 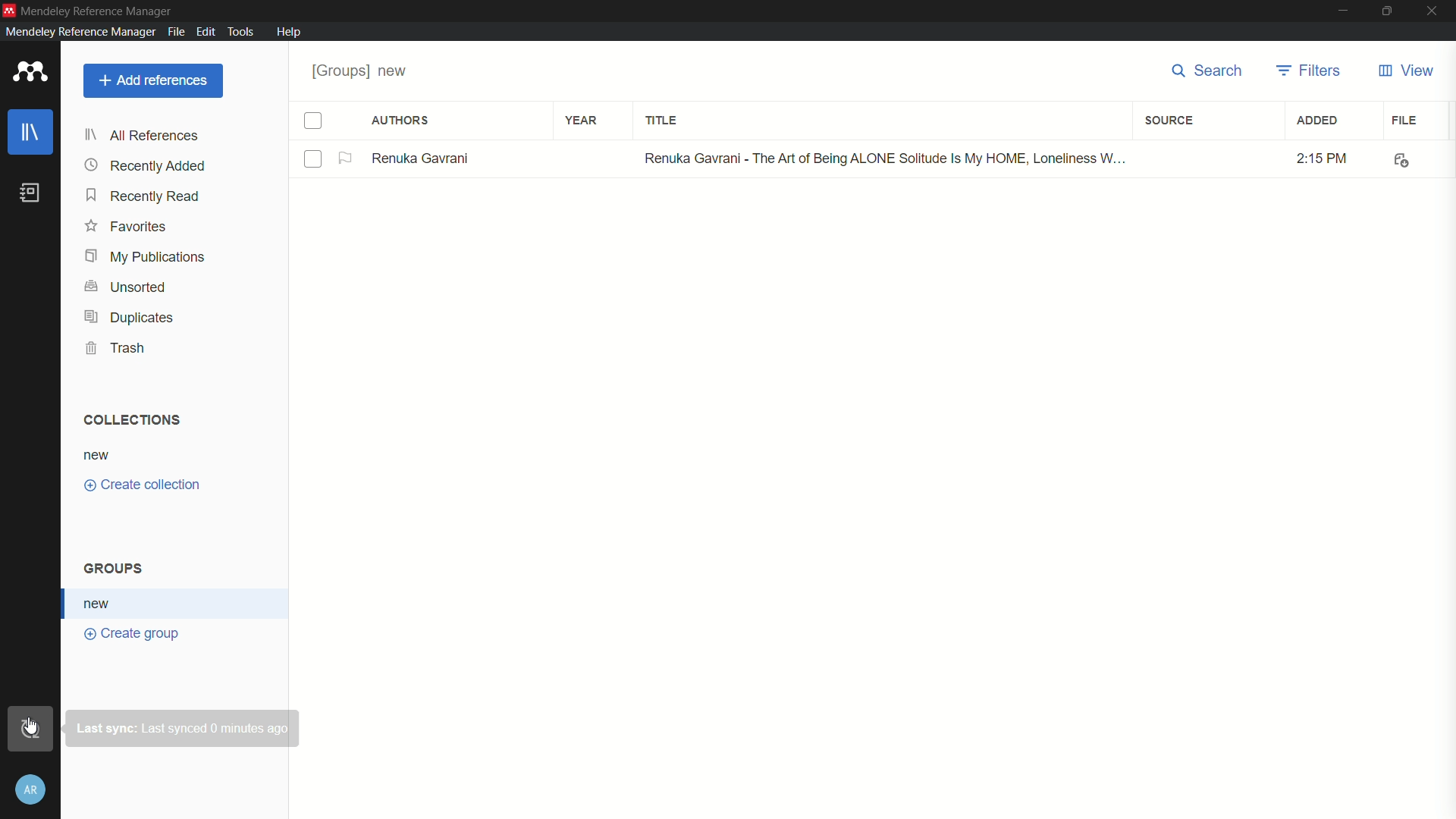 I want to click on cursor, so click(x=33, y=724).